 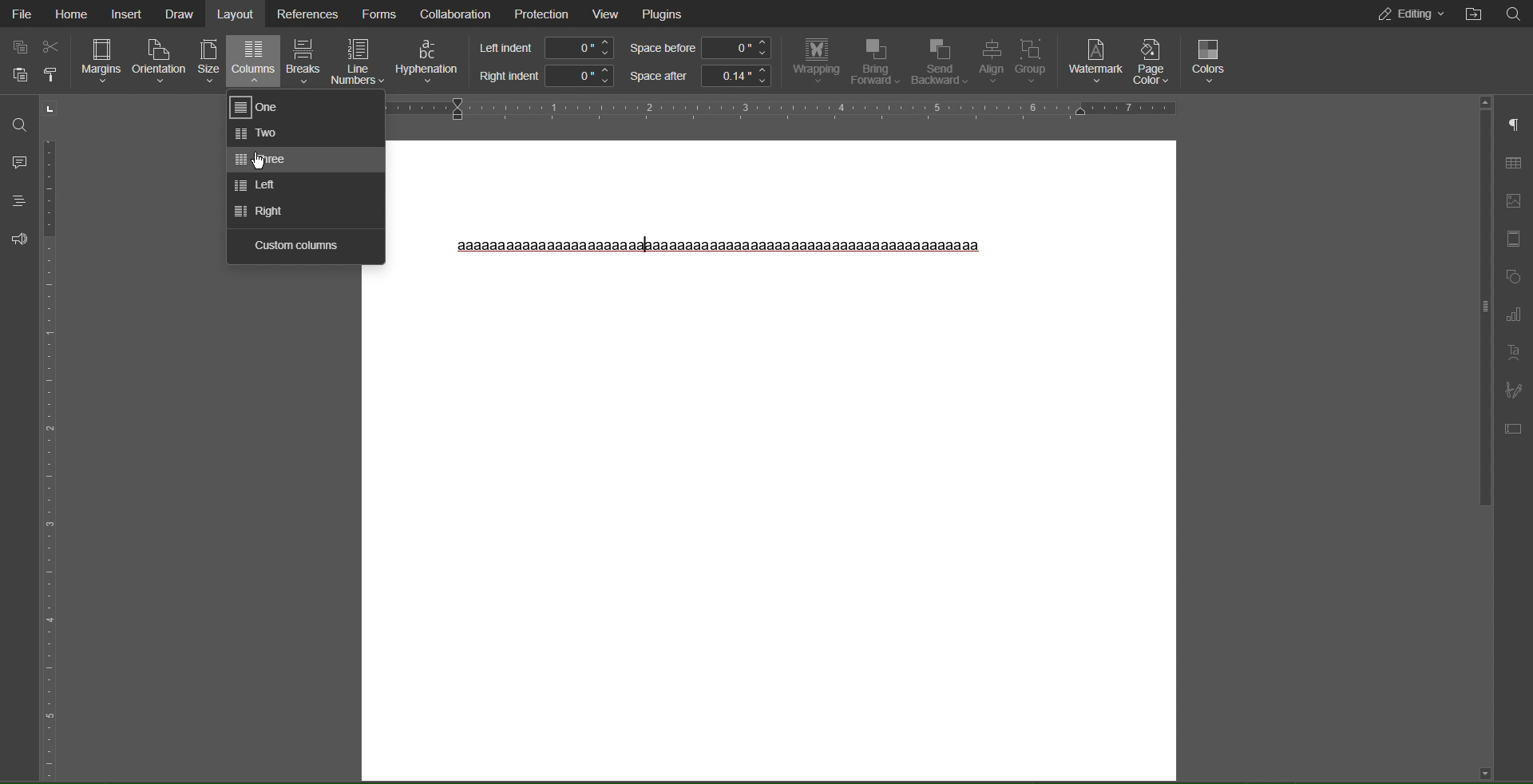 I want to click on Layout, so click(x=237, y=14).